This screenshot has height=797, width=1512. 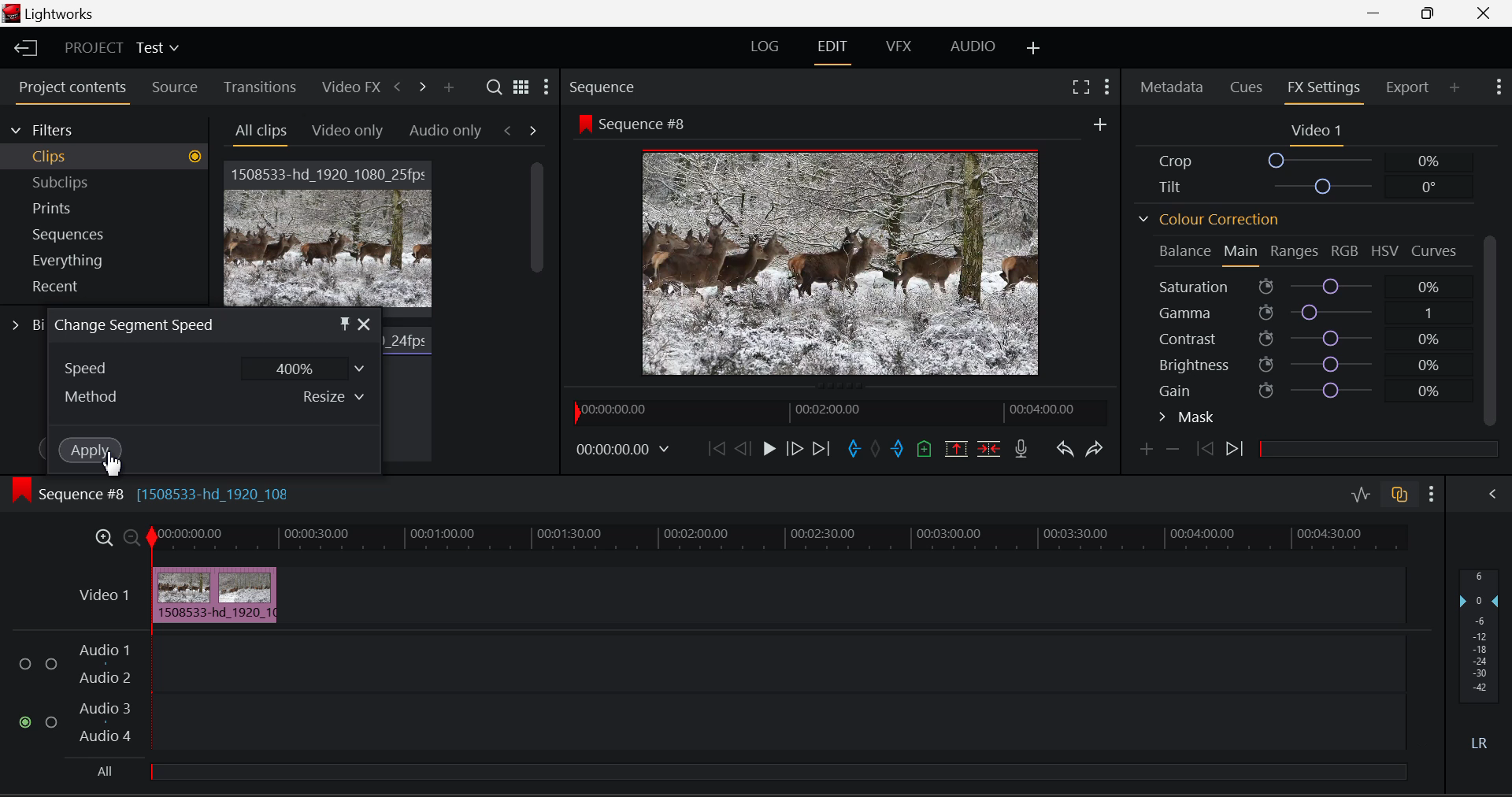 What do you see at coordinates (955, 447) in the screenshot?
I see `Remove marked section` at bounding box center [955, 447].